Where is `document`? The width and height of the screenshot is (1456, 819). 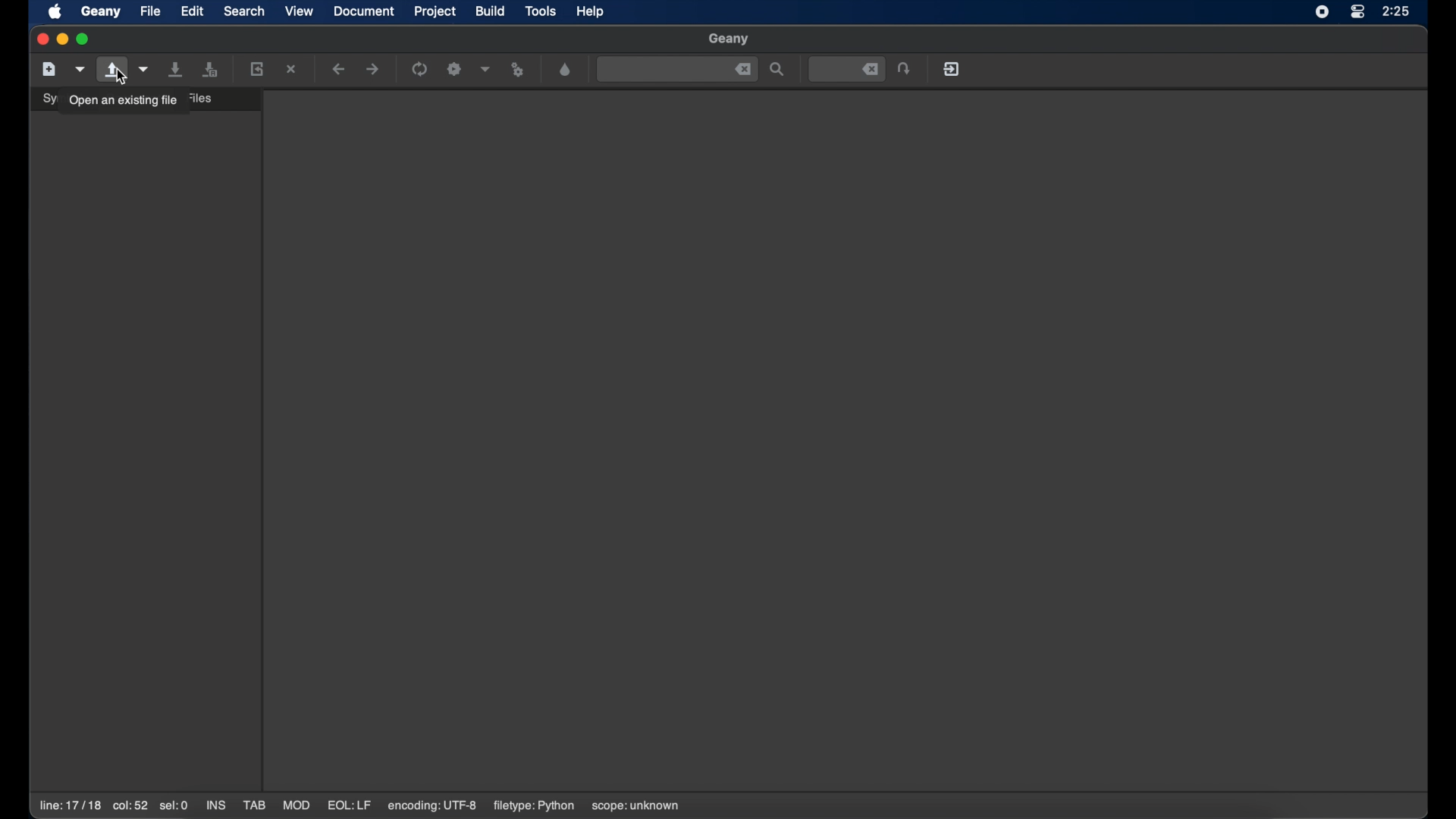 document is located at coordinates (362, 11).